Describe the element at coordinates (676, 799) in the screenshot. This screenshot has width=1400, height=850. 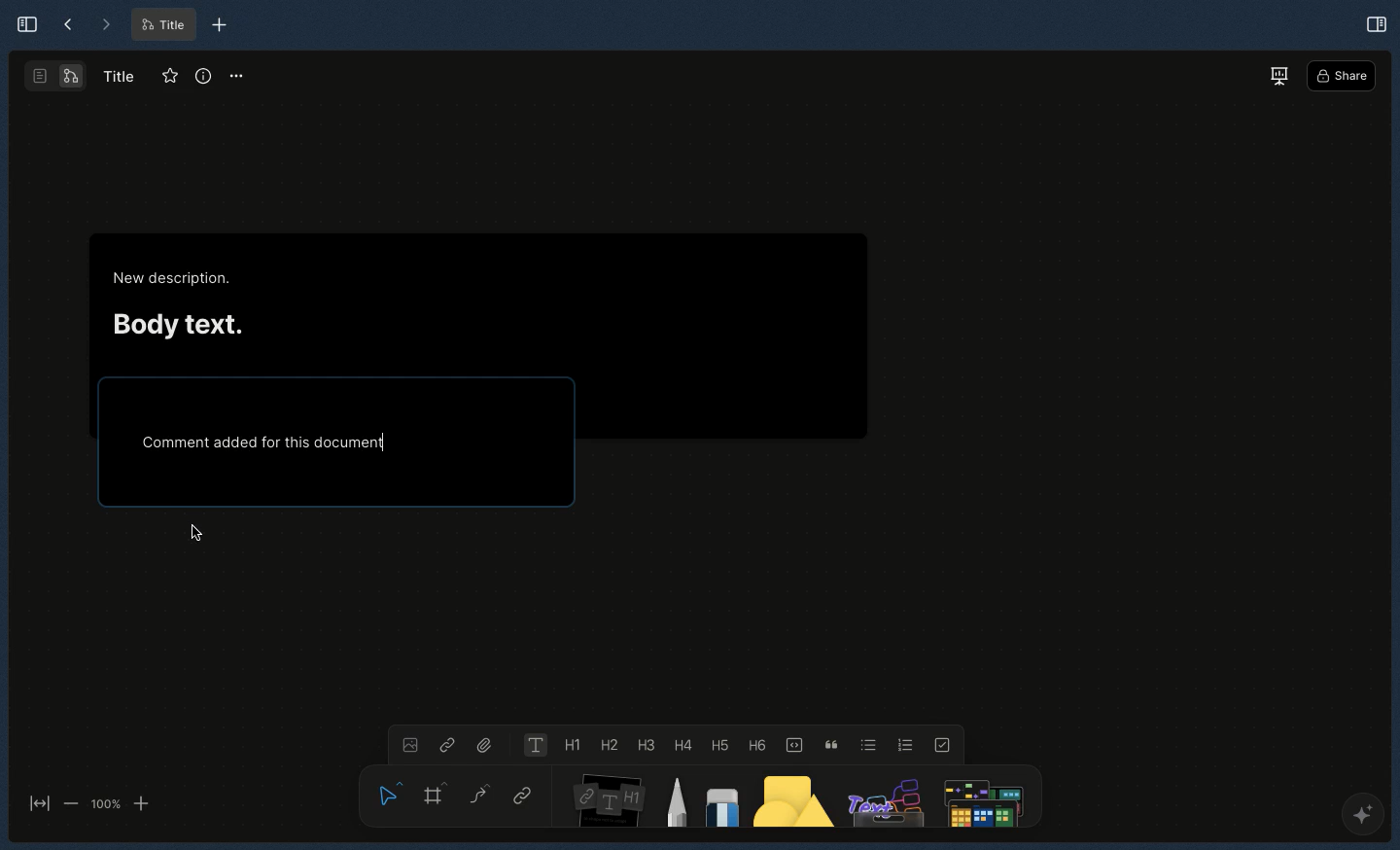
I see `Pen` at that location.